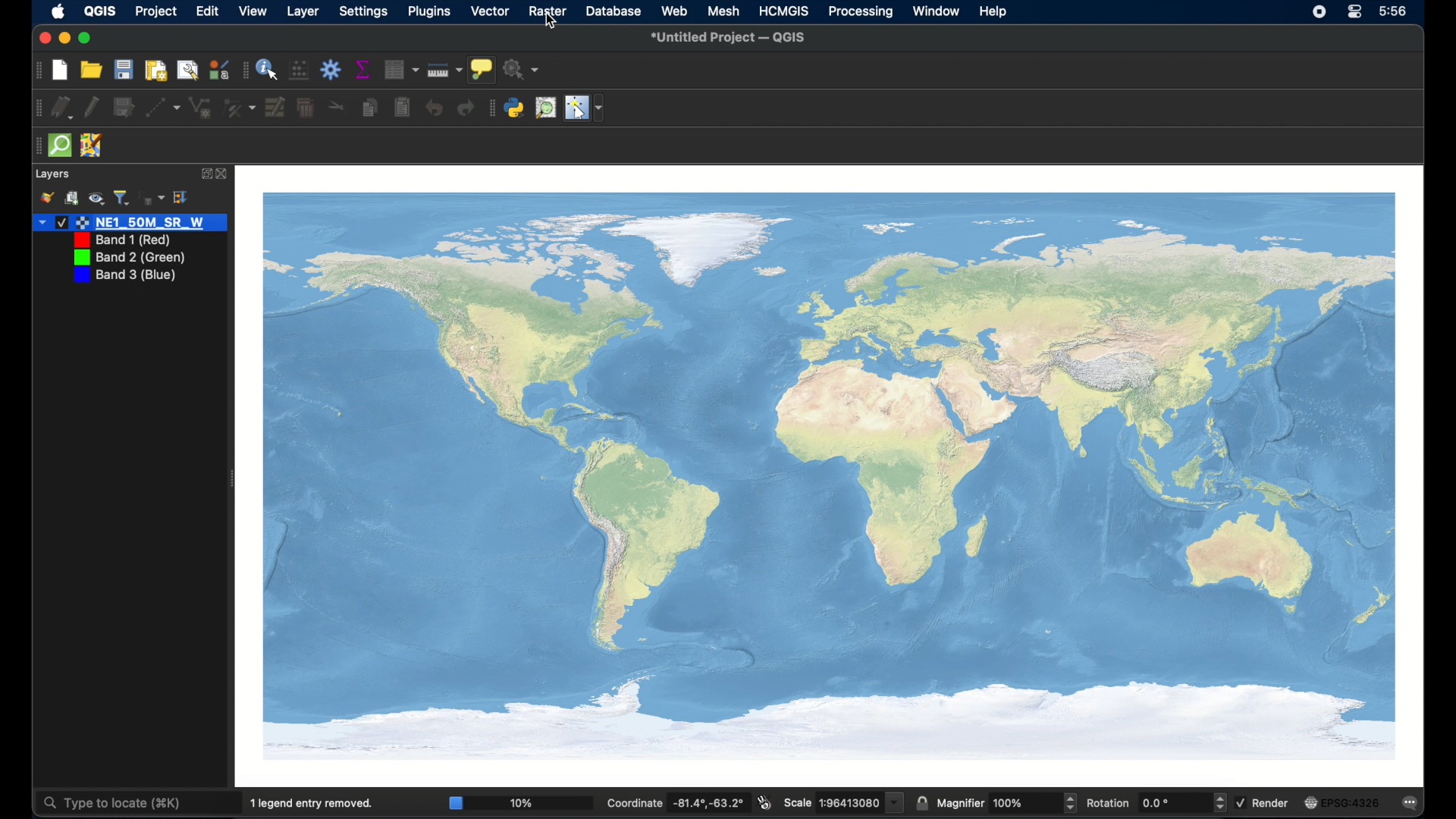 The image size is (1456, 819). What do you see at coordinates (152, 198) in the screenshot?
I see `filter legend  by expression` at bounding box center [152, 198].